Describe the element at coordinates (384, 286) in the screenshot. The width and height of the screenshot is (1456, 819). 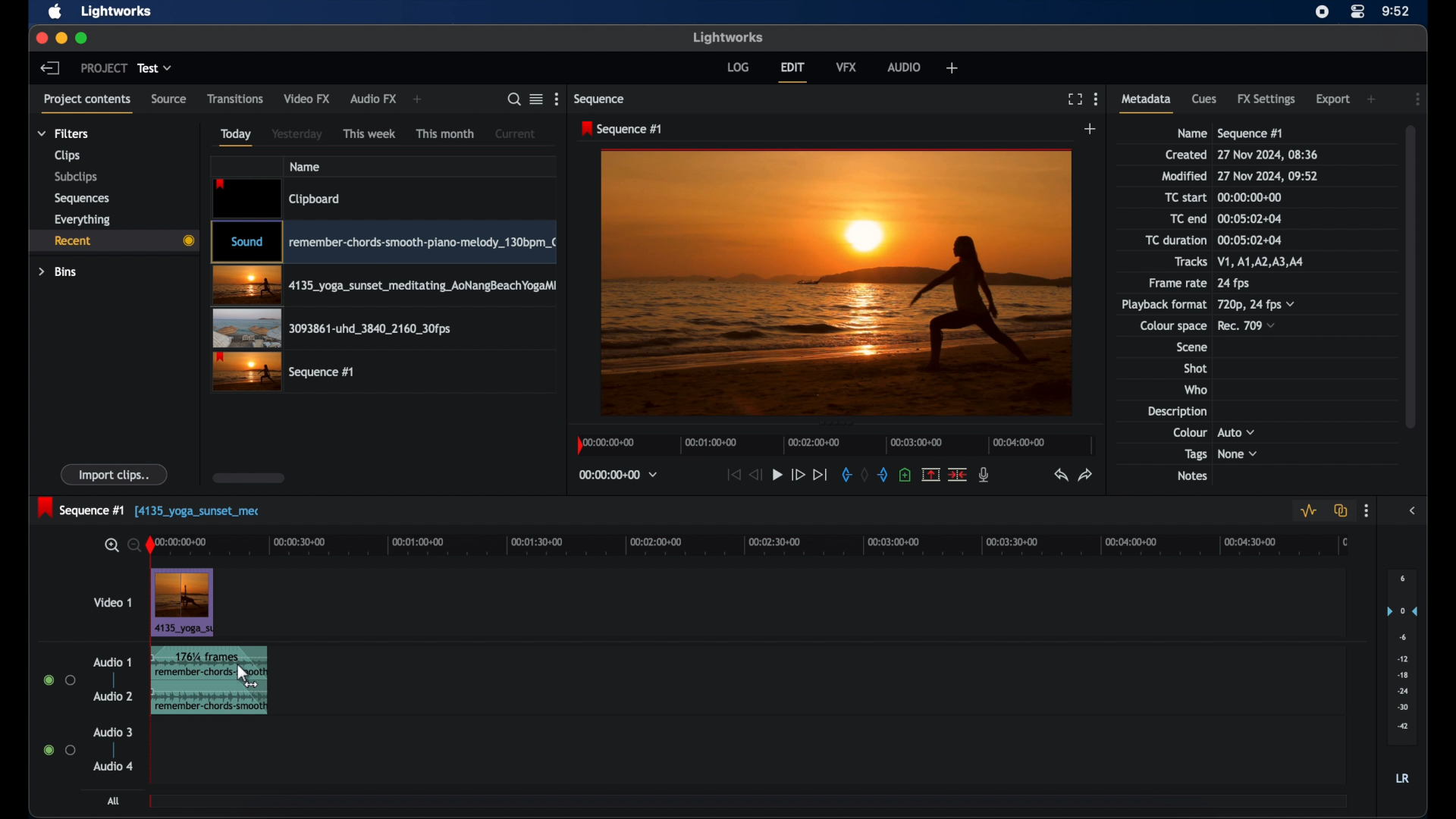
I see `video clip` at that location.